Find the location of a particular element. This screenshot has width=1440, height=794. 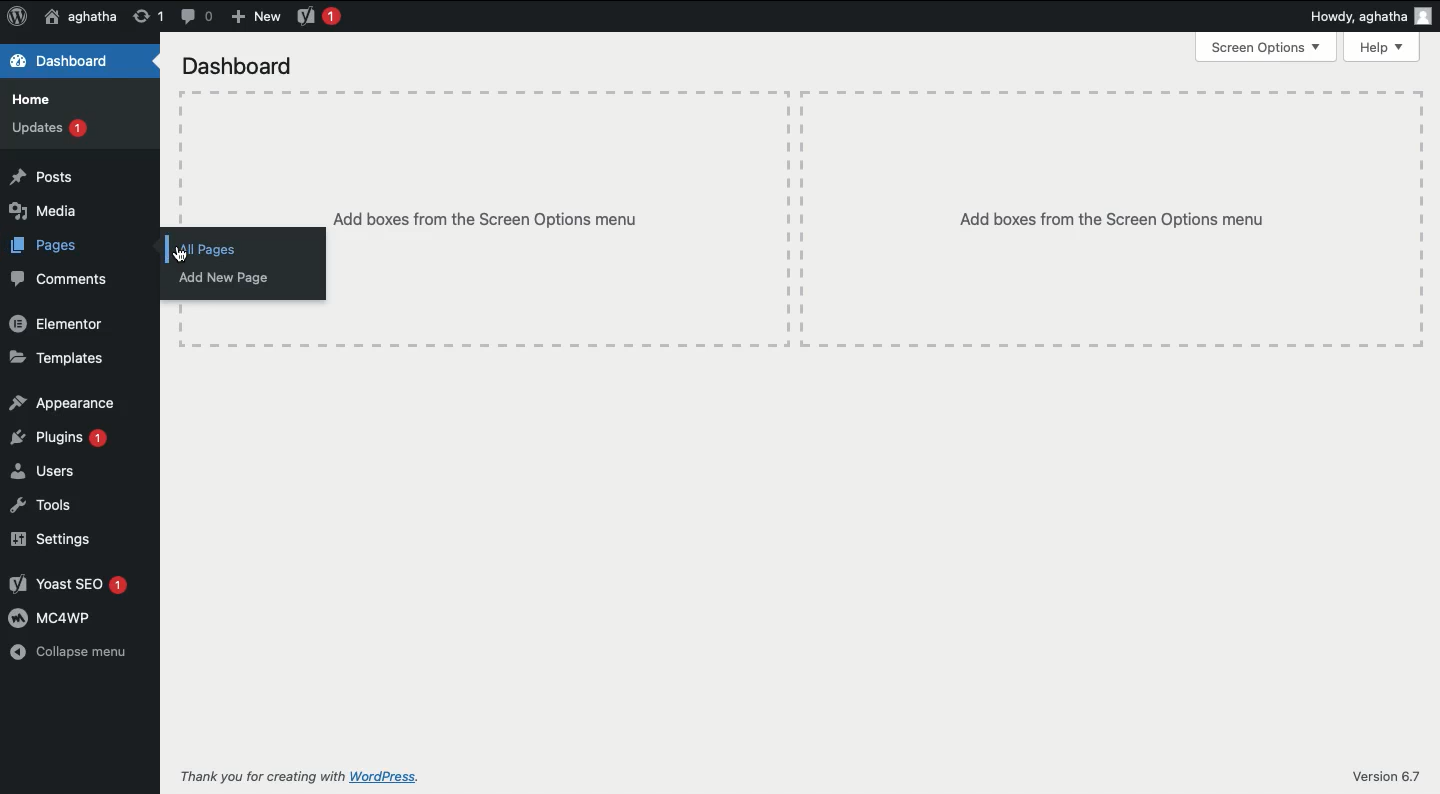

Add new page is located at coordinates (224, 278).